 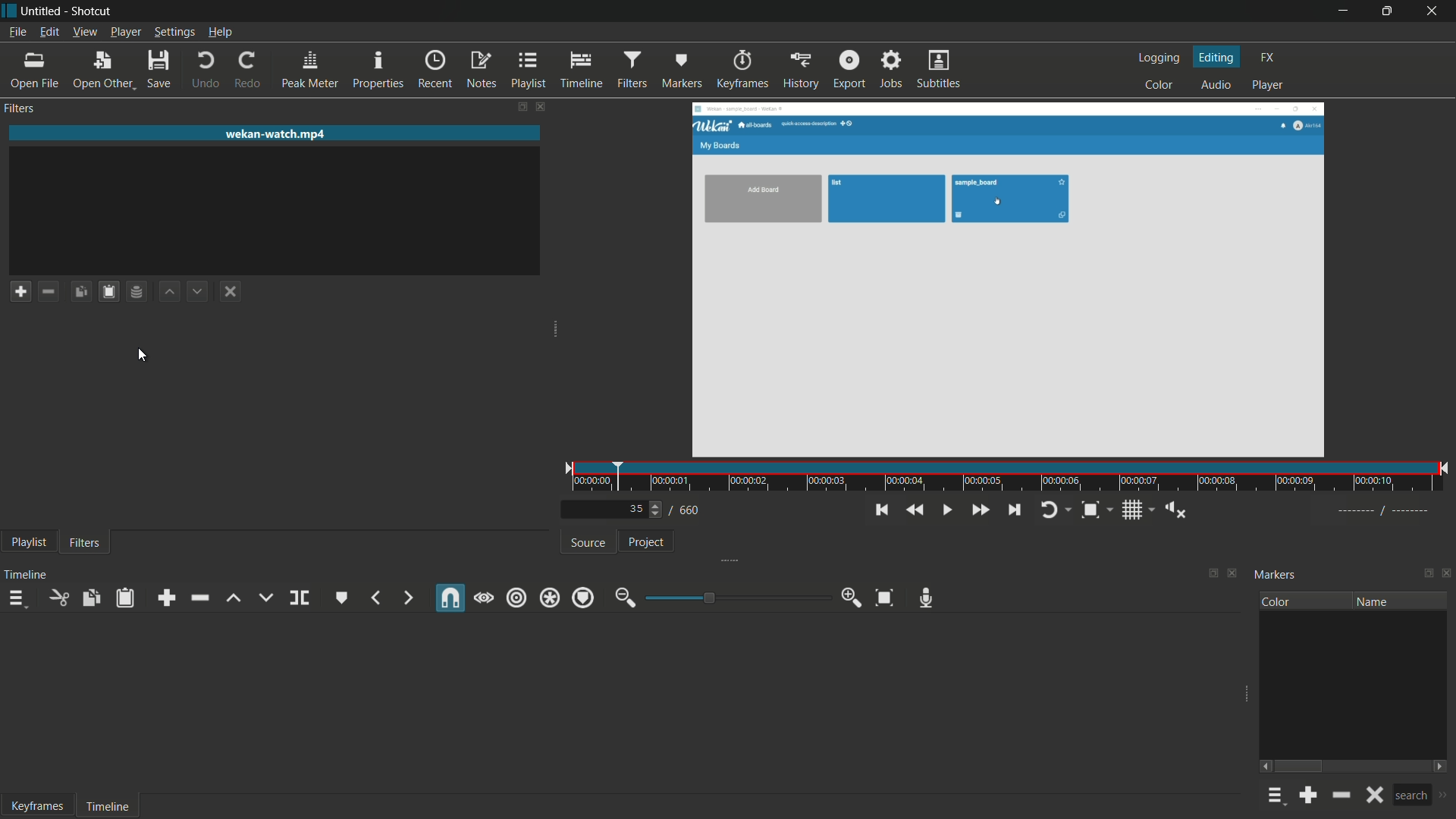 What do you see at coordinates (378, 71) in the screenshot?
I see `properties` at bounding box center [378, 71].